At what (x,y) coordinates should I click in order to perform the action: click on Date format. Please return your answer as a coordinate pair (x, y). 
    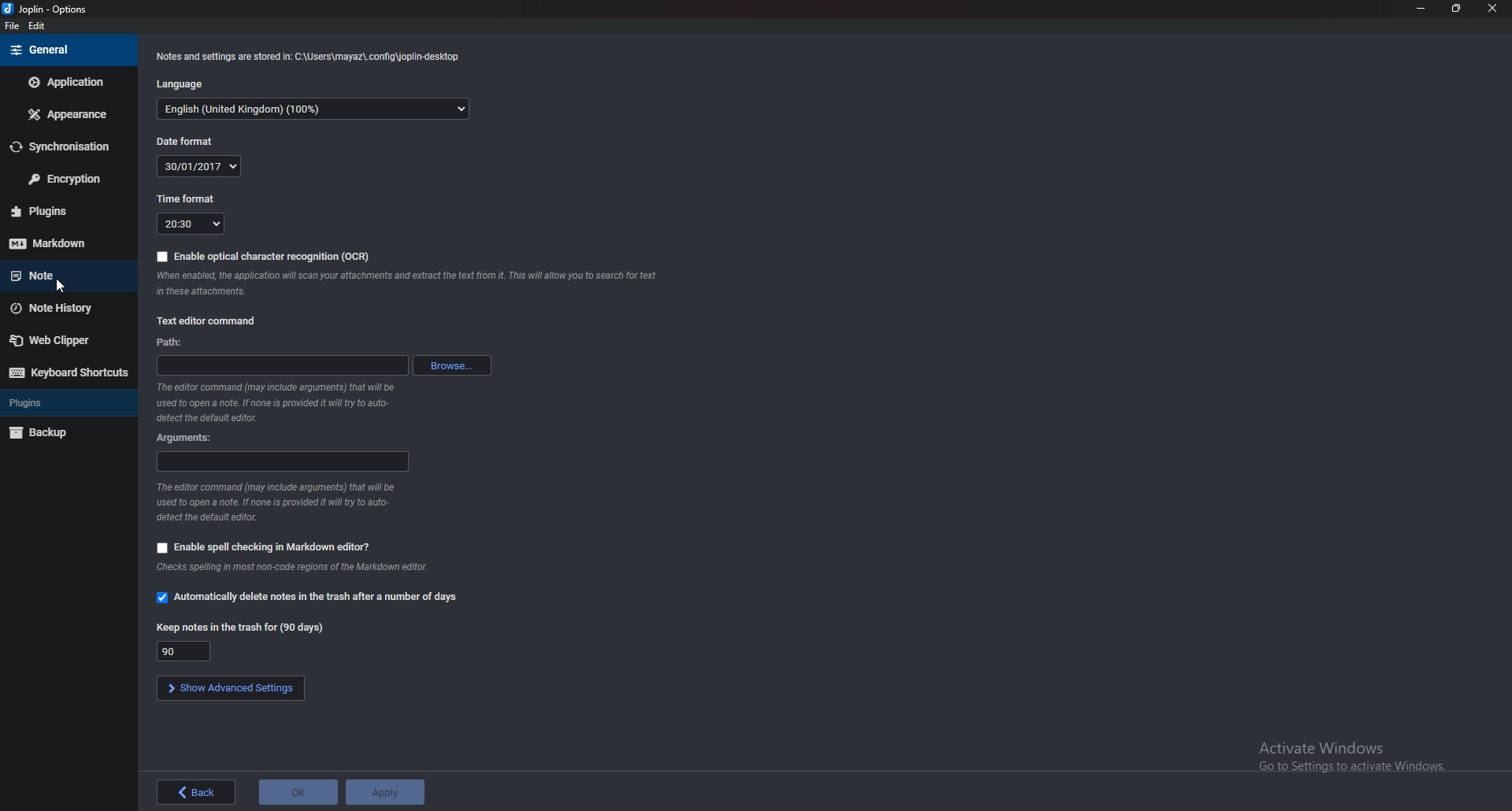
    Looking at the image, I should click on (183, 141).